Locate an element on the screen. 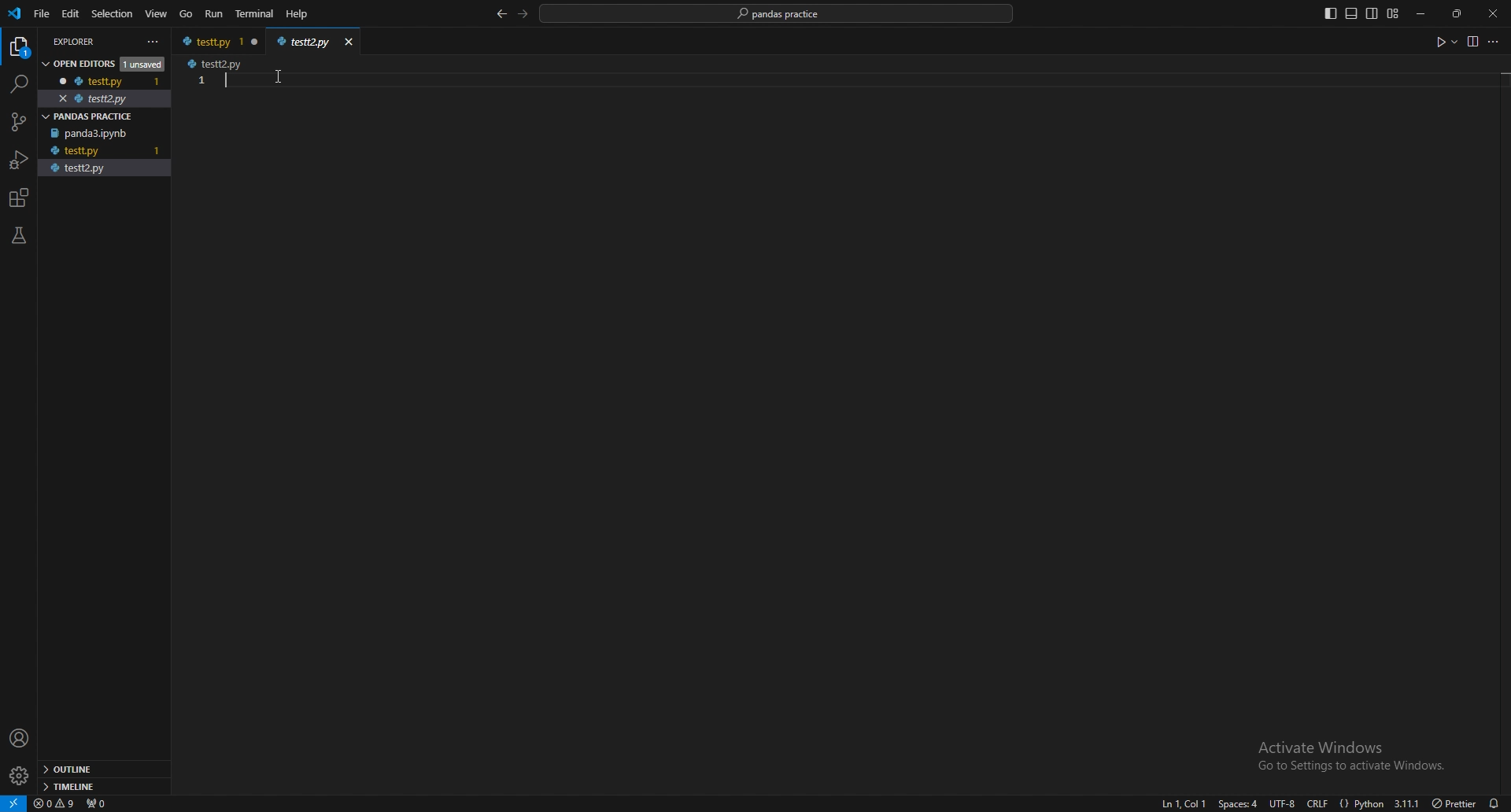 This screenshot has height=812, width=1511. testt.py is located at coordinates (95, 80).